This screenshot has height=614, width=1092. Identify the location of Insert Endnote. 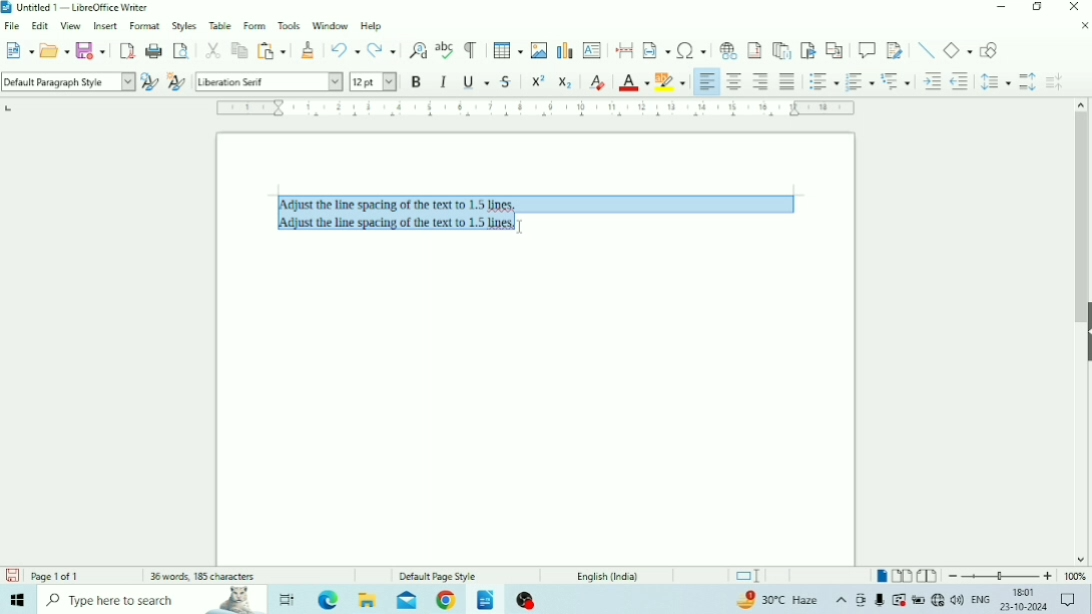
(781, 49).